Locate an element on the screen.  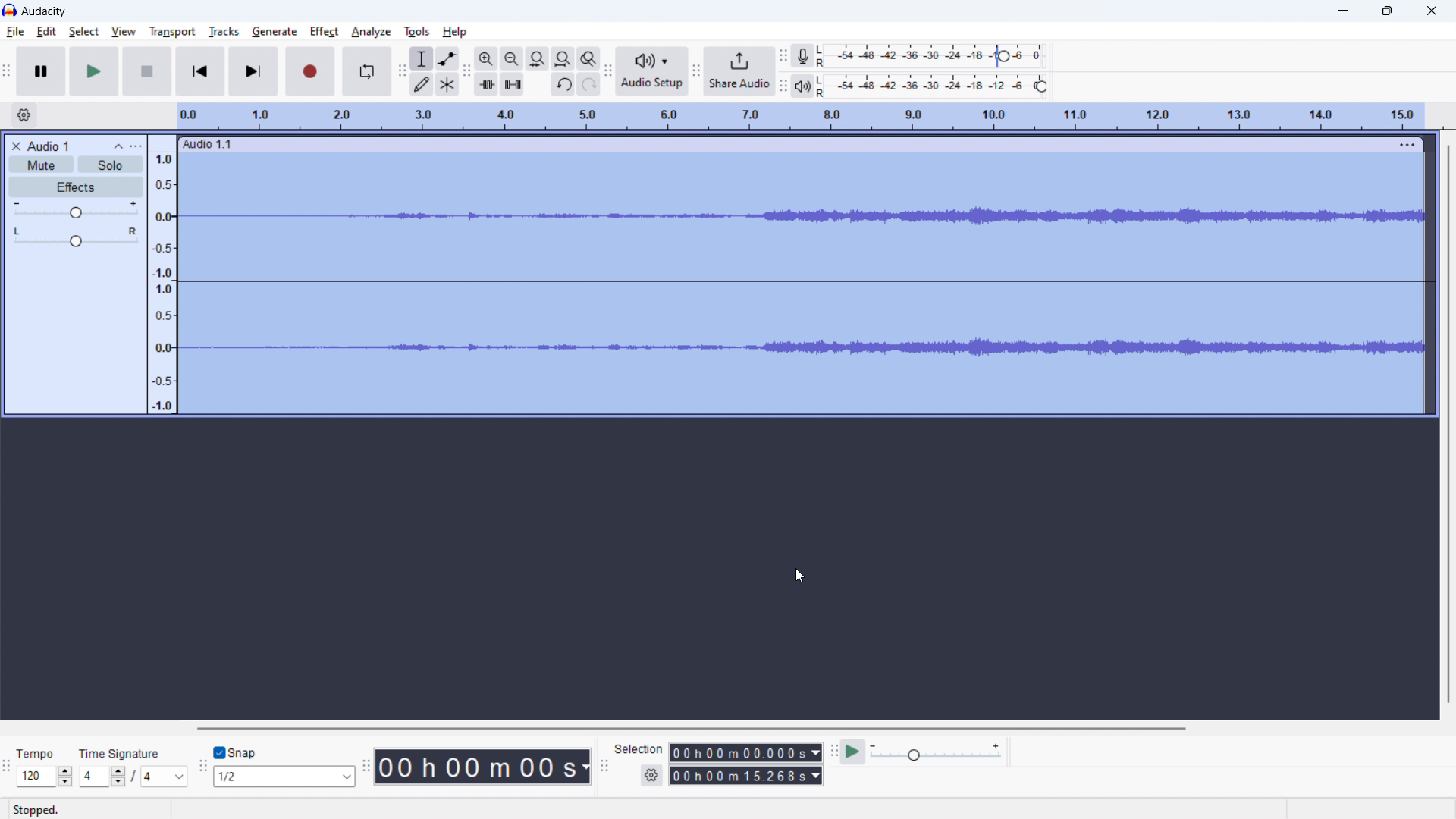
trim audio outside selection is located at coordinates (486, 84).